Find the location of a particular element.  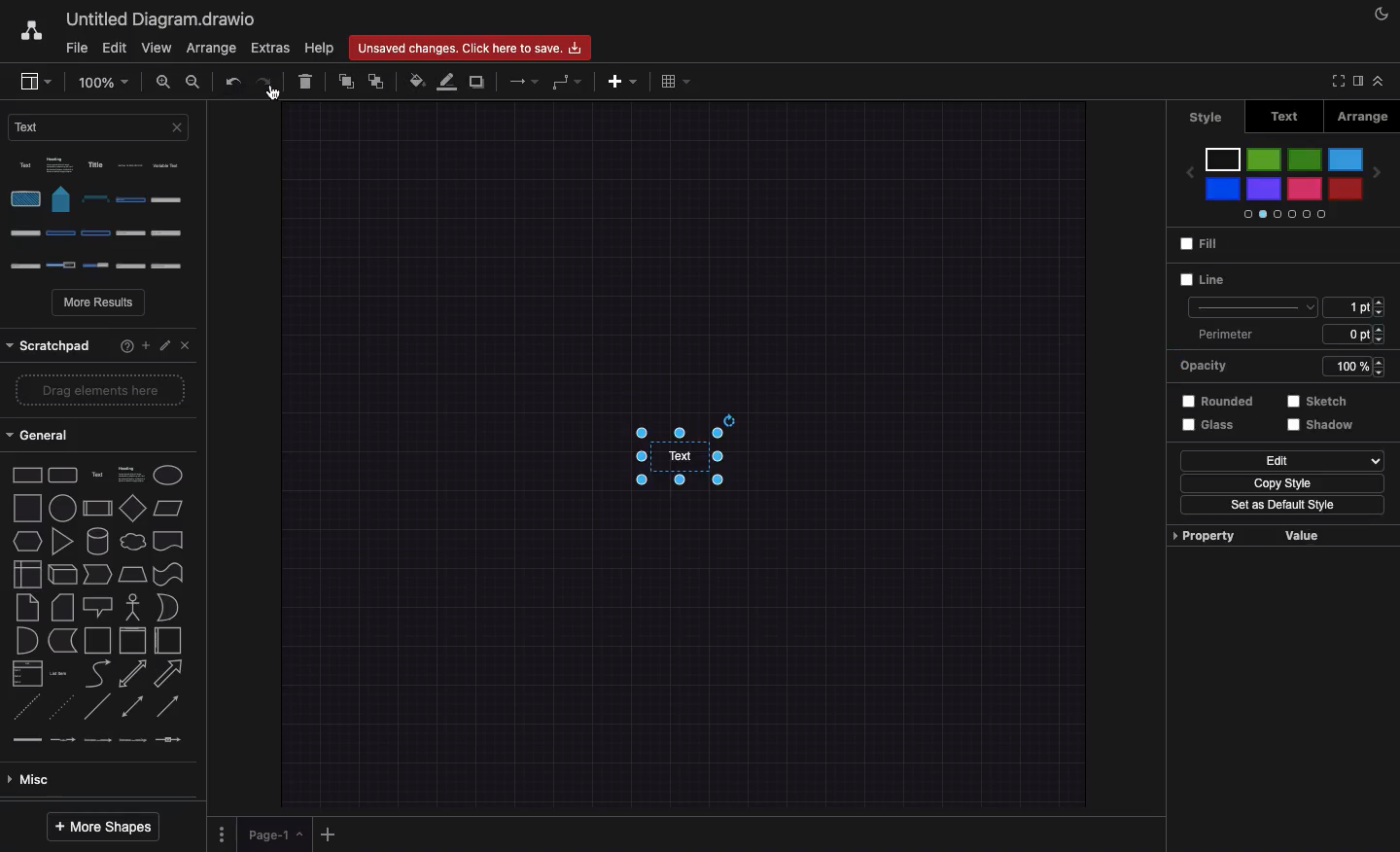

Undo is located at coordinates (232, 83).